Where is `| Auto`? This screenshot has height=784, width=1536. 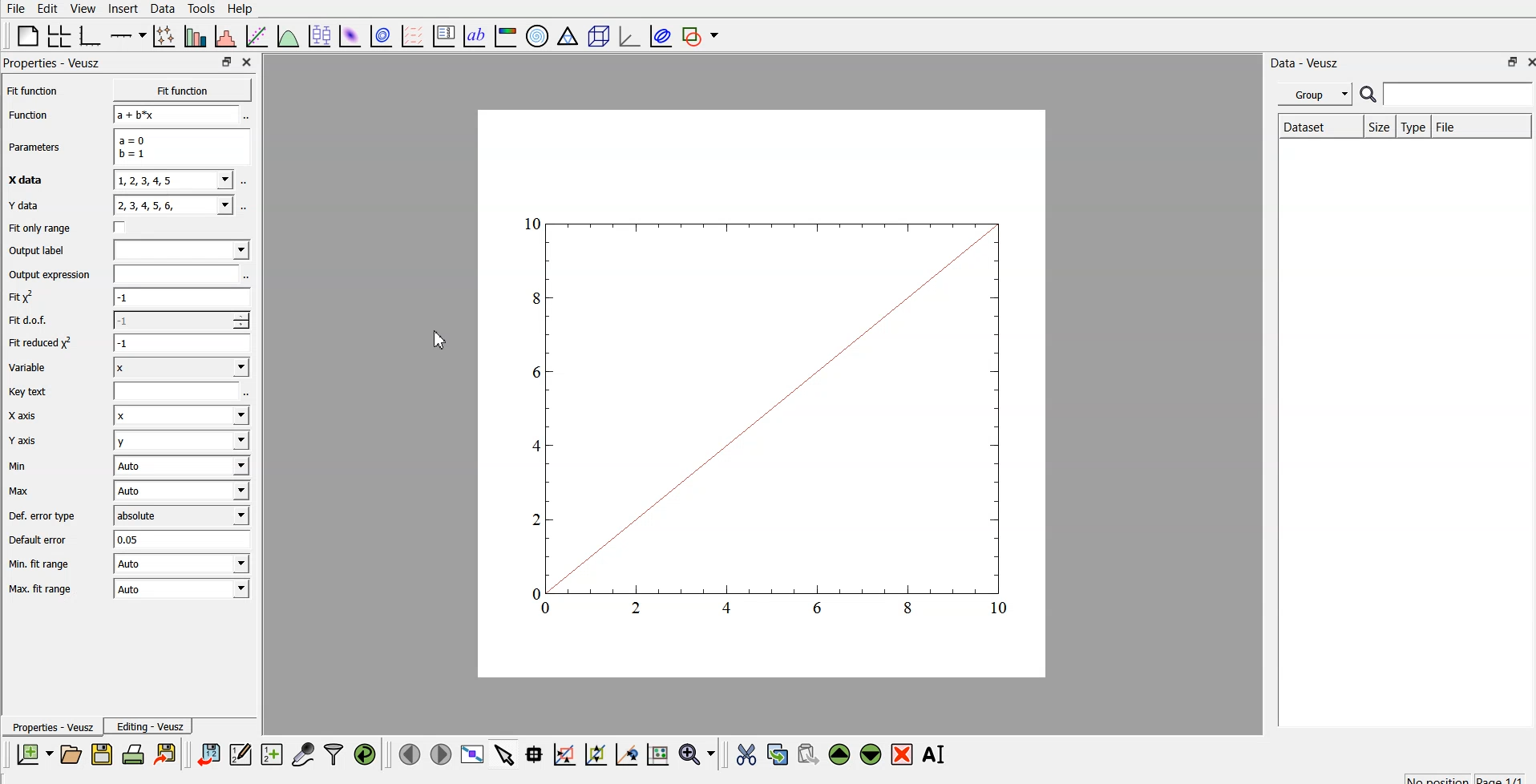
| Auto is located at coordinates (181, 564).